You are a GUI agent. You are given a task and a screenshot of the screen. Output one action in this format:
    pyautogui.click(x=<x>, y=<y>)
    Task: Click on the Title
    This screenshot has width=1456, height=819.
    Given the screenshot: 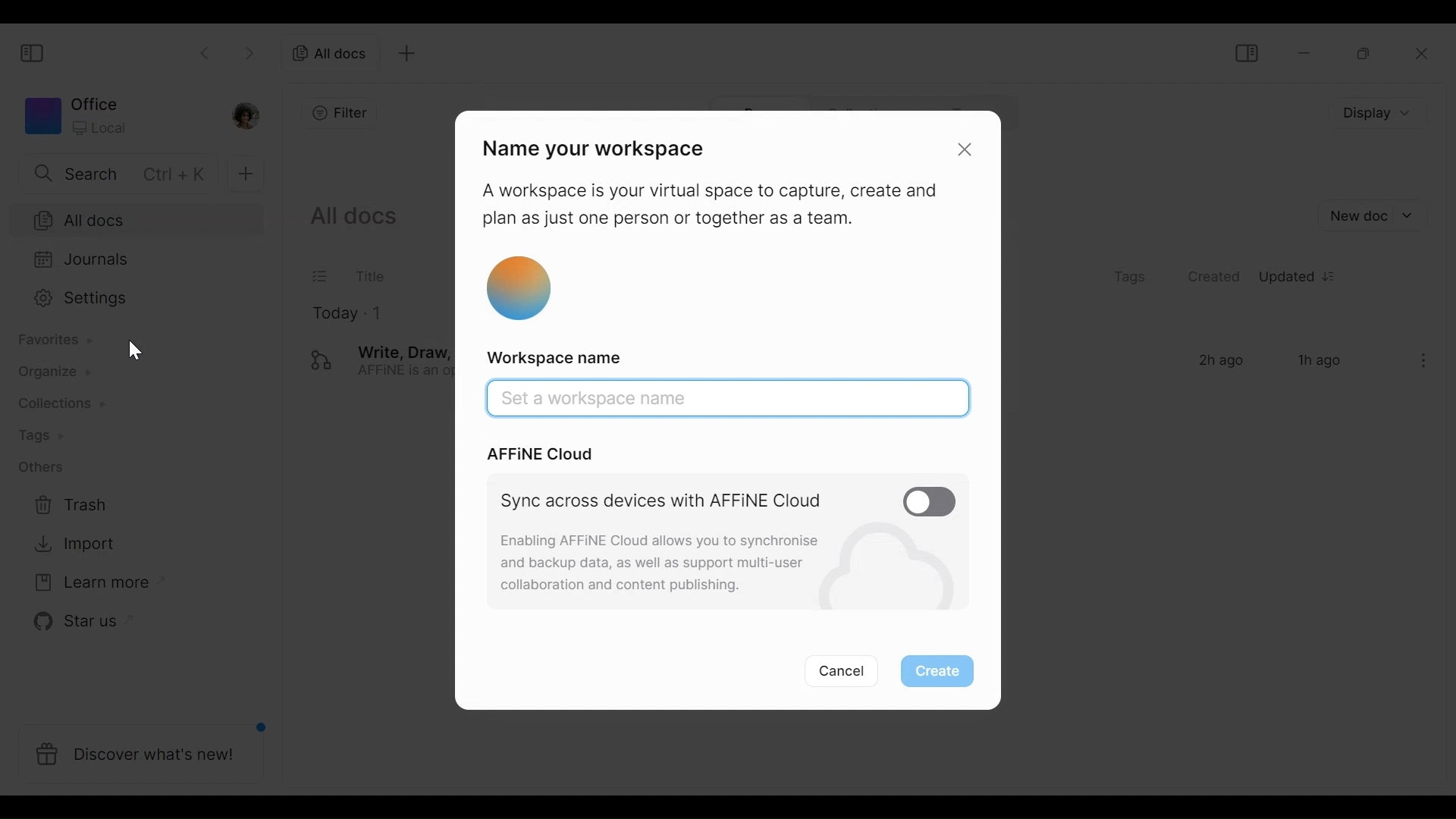 What is the action you would take?
    pyautogui.click(x=369, y=276)
    